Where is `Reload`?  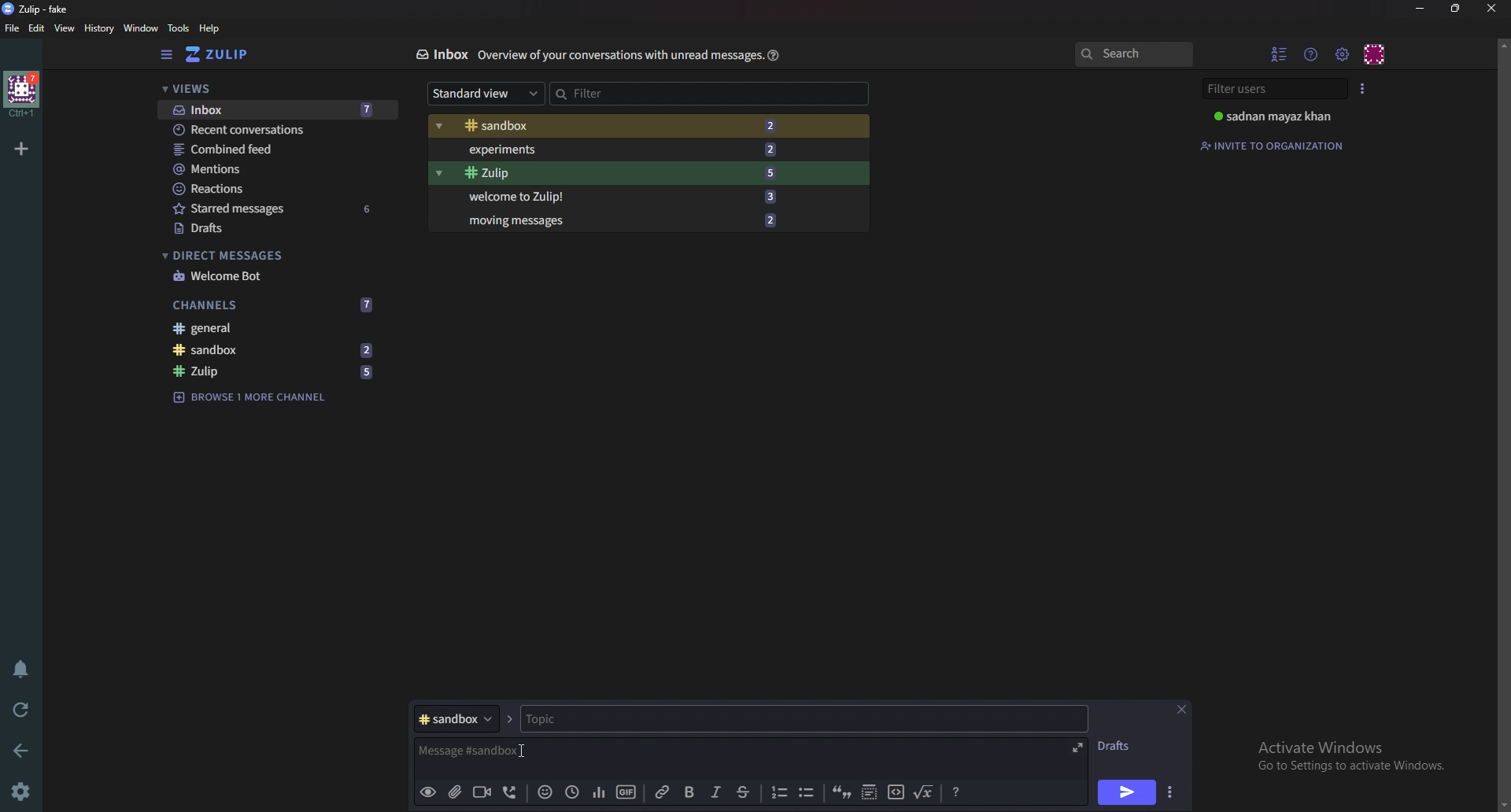 Reload is located at coordinates (24, 708).